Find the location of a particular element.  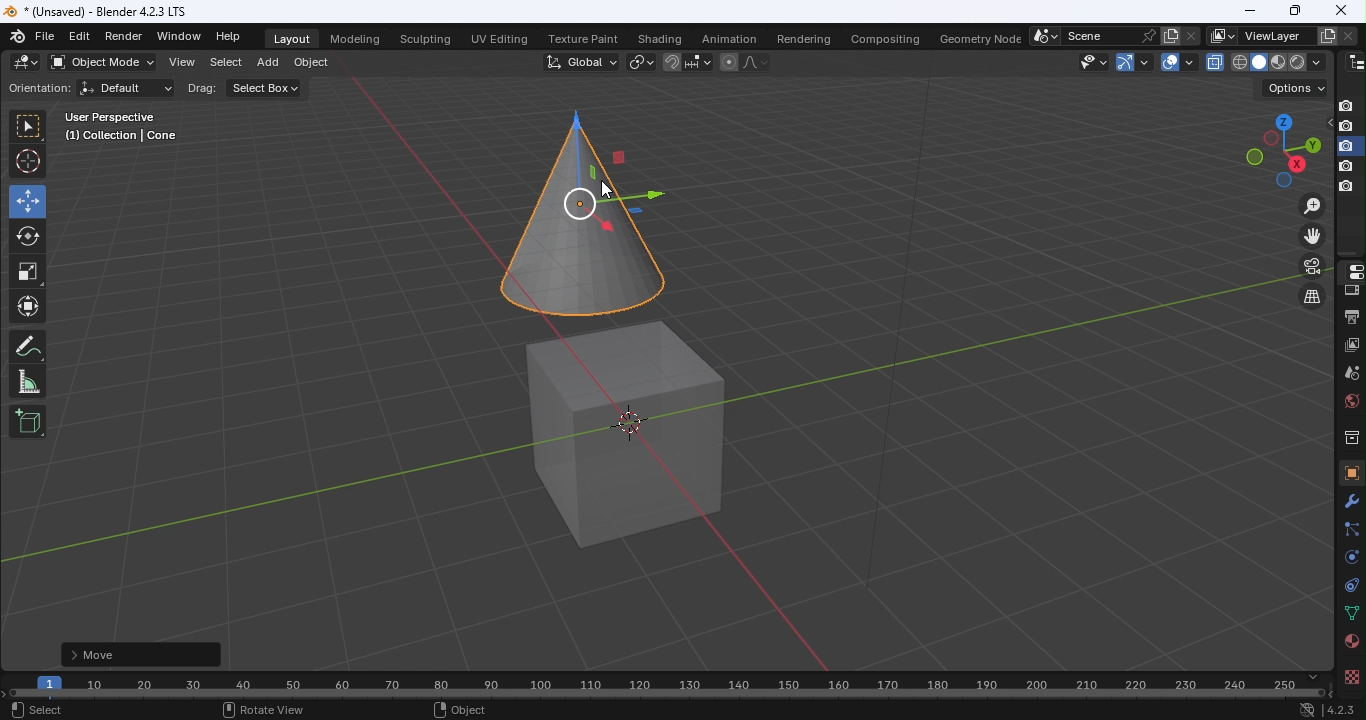

Modeling is located at coordinates (353, 37).